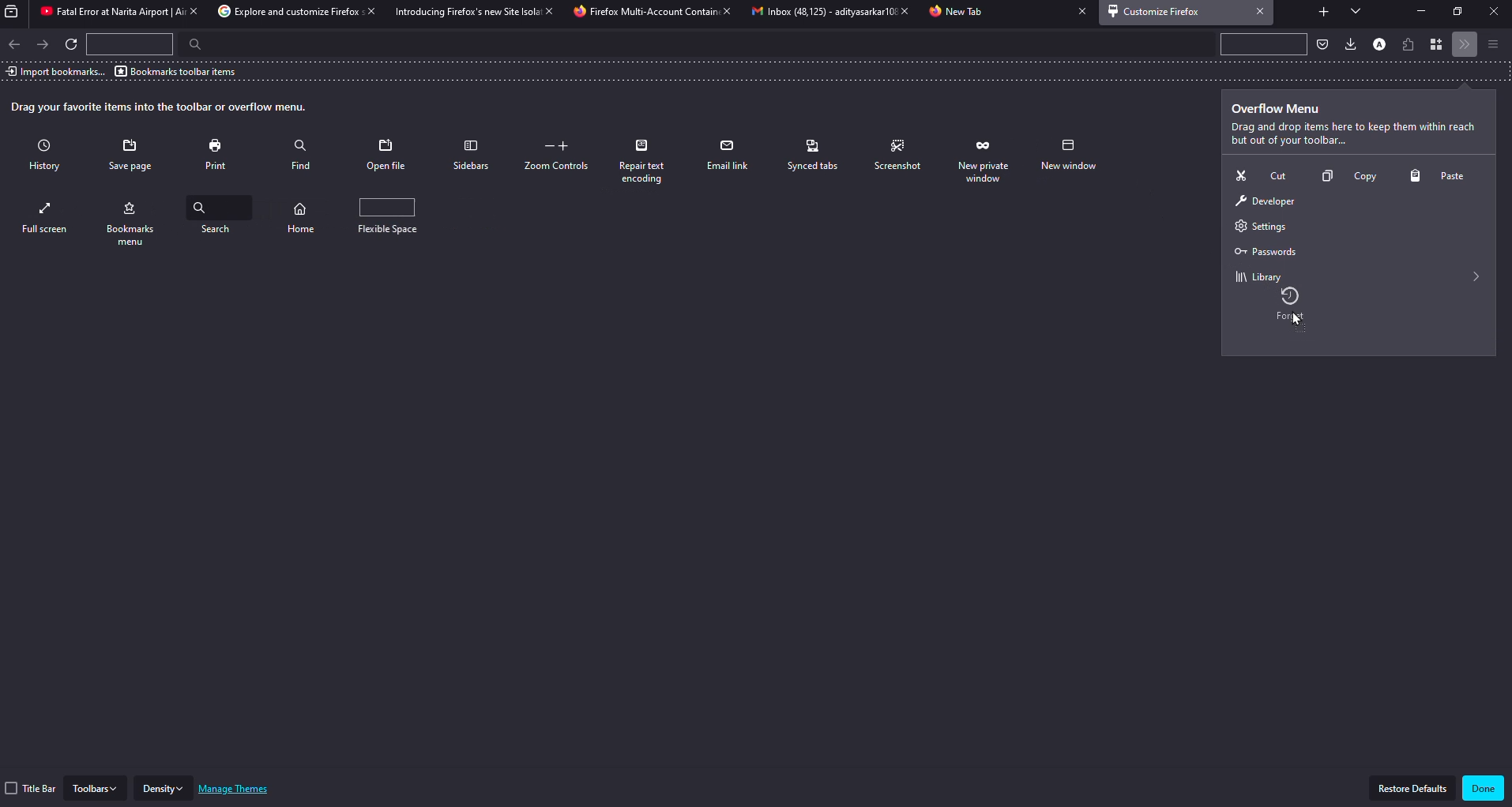  What do you see at coordinates (814, 13) in the screenshot?
I see `tab` at bounding box center [814, 13].